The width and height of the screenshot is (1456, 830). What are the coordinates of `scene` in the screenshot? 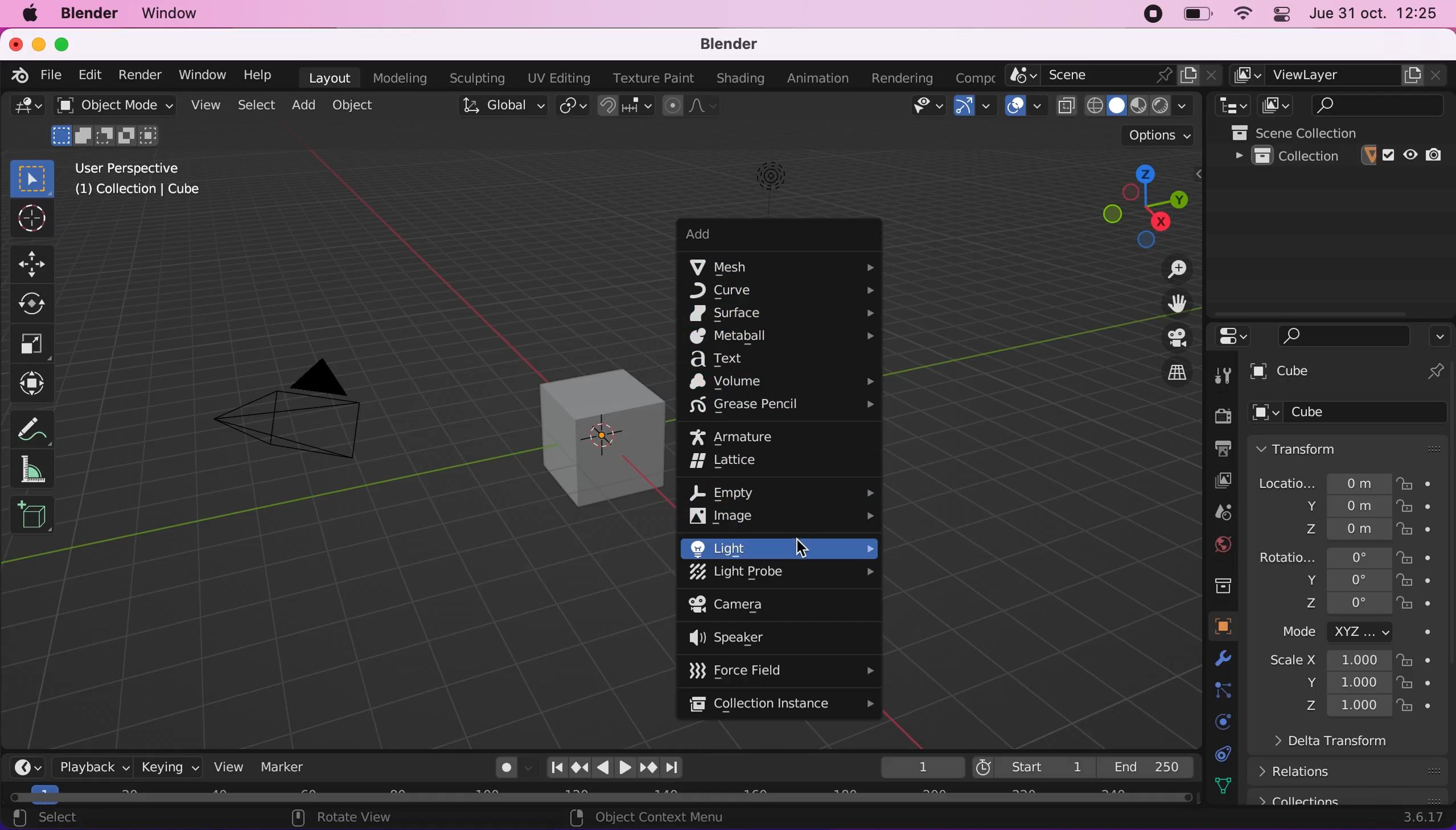 It's located at (1114, 75).